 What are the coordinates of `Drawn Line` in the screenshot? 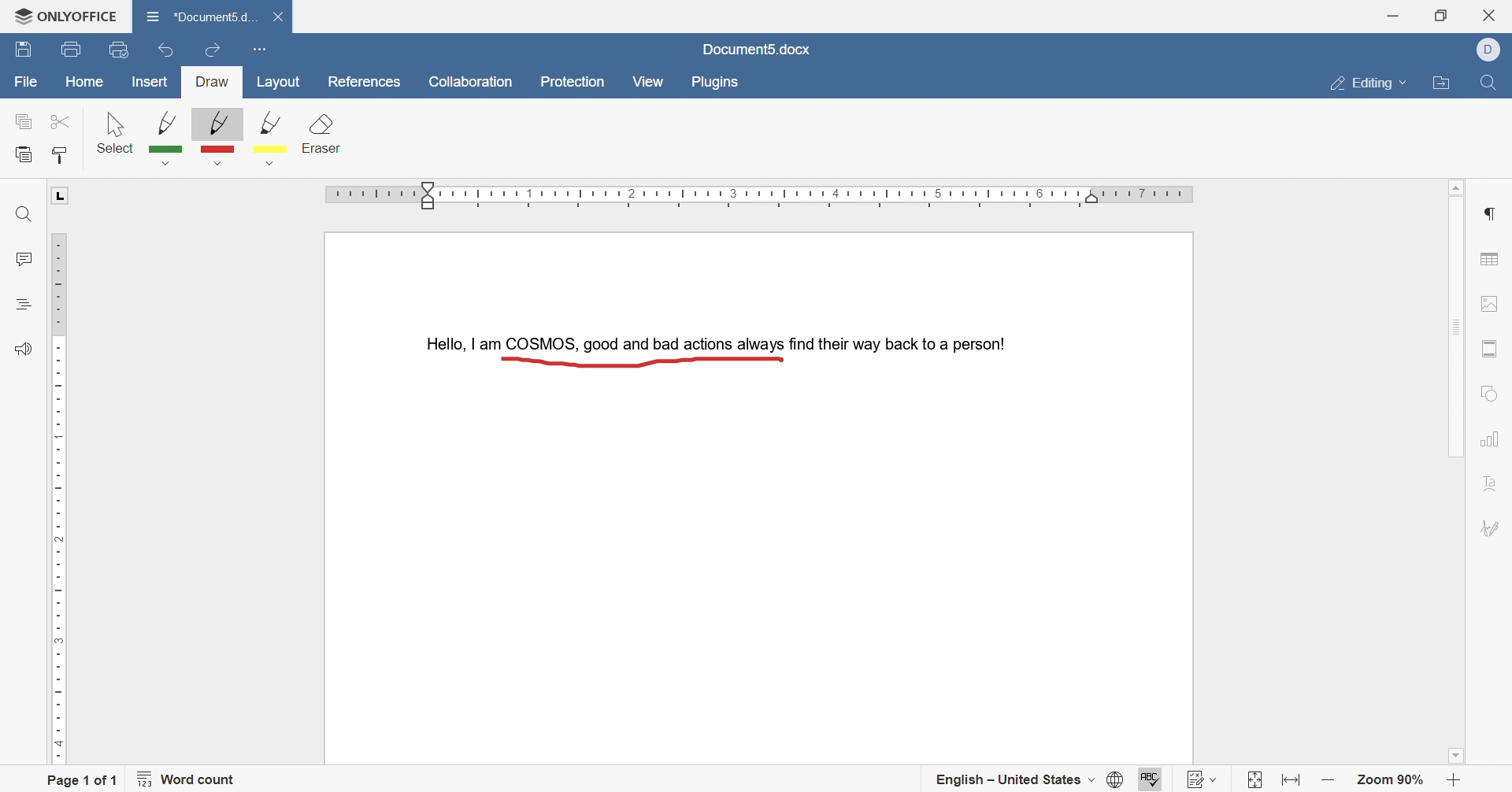 It's located at (638, 361).